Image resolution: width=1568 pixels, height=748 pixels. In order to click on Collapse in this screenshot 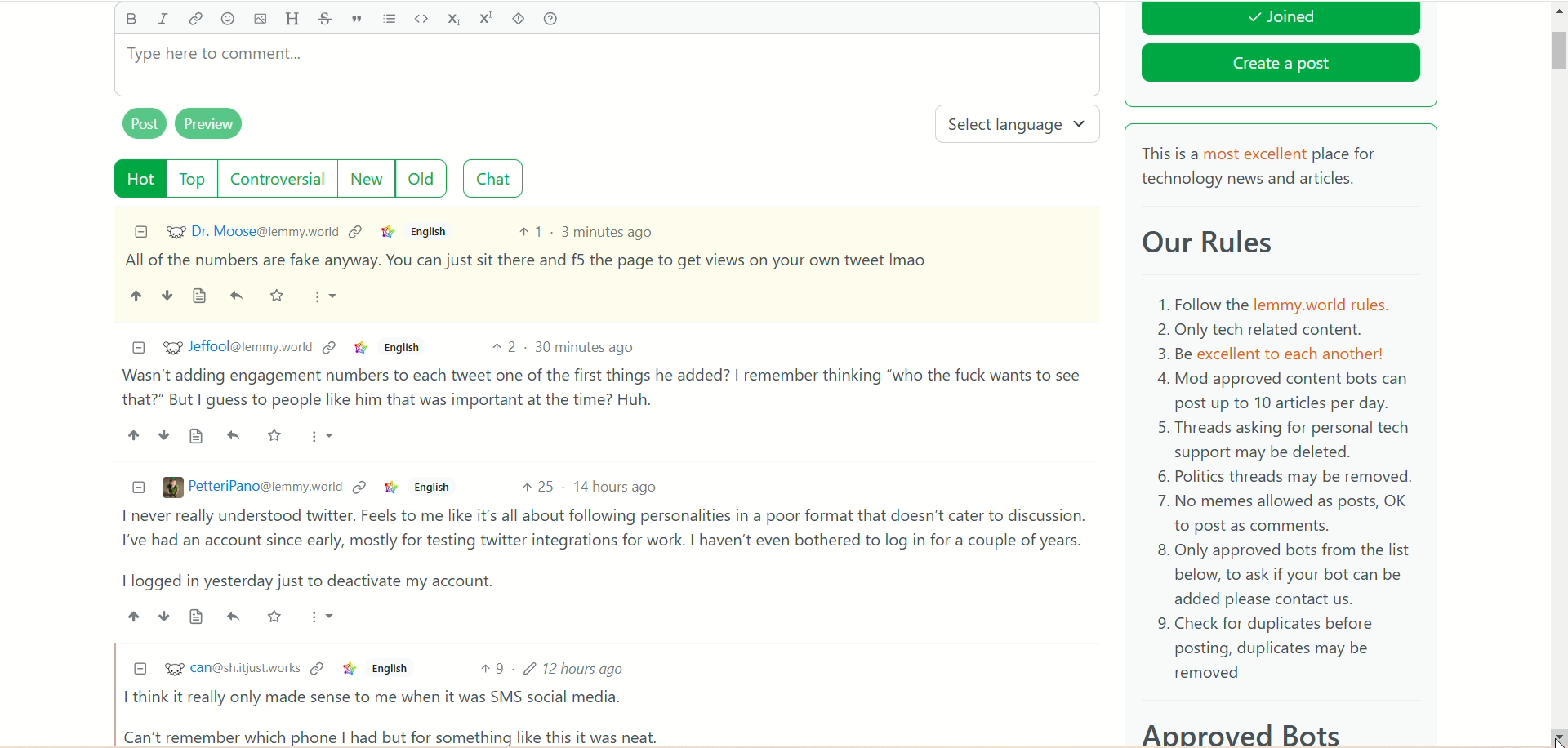, I will do `click(140, 488)`.